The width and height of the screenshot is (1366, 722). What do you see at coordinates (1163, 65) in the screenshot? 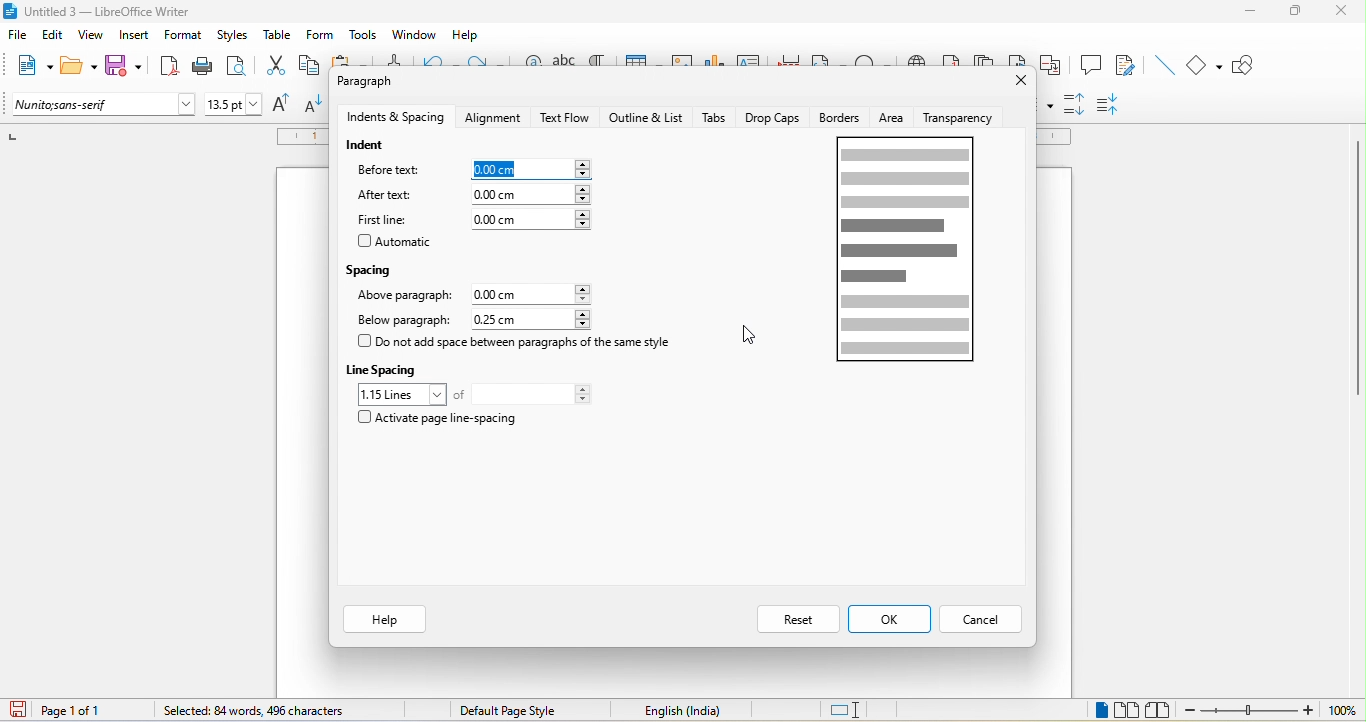
I see `insert line` at bounding box center [1163, 65].